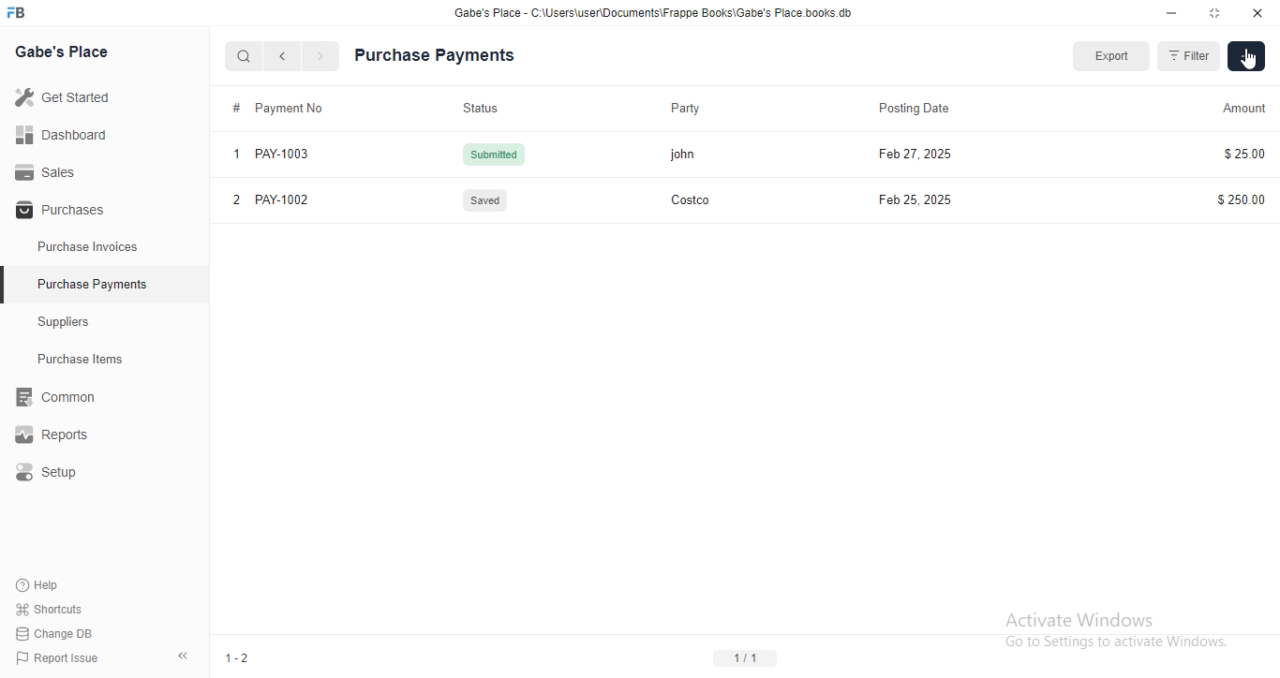 This screenshot has width=1280, height=678. What do you see at coordinates (290, 154) in the screenshot?
I see `PAY-1003` at bounding box center [290, 154].